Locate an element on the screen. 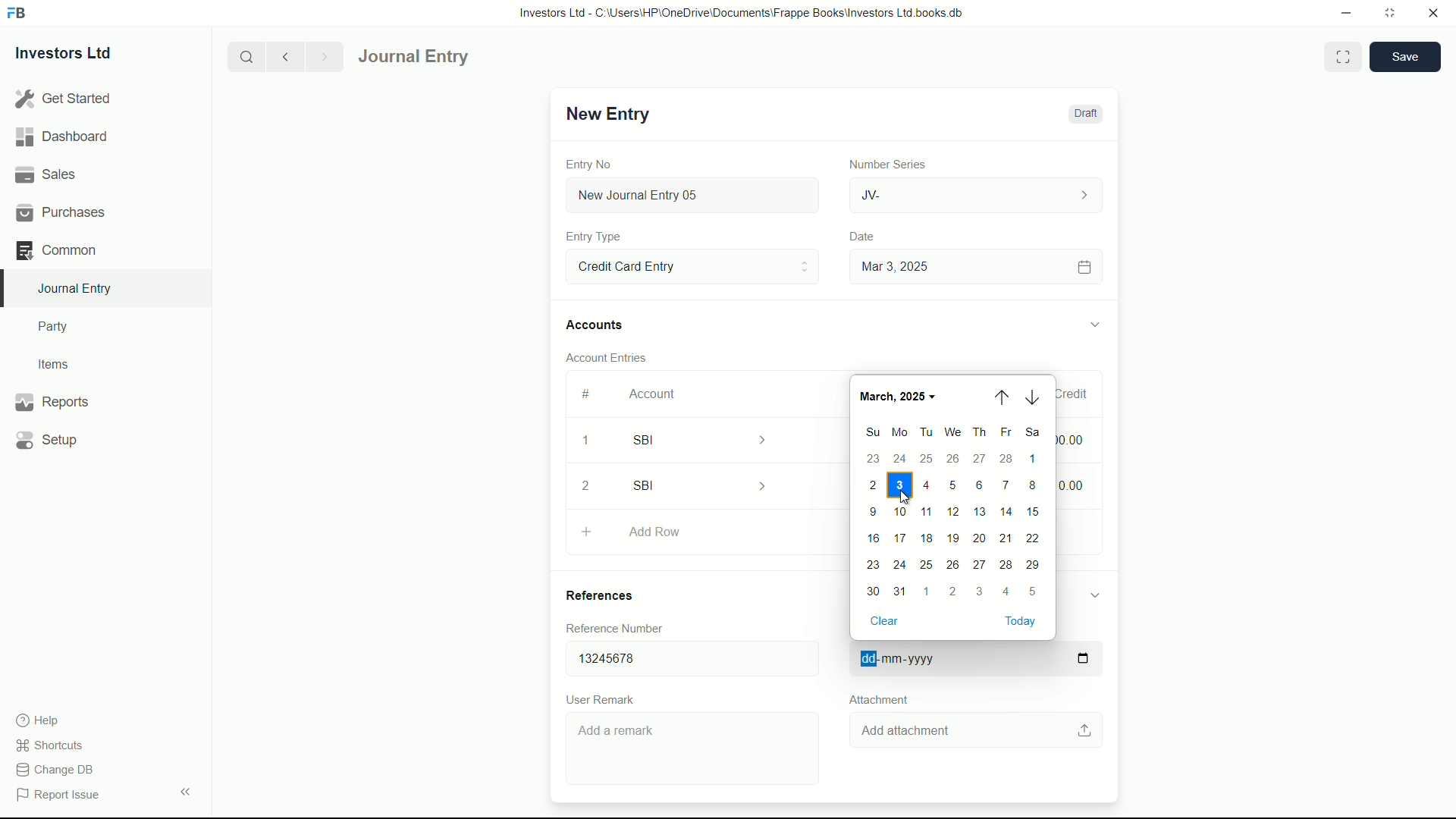 The height and width of the screenshot is (819, 1456). maximize is located at coordinates (1389, 11).